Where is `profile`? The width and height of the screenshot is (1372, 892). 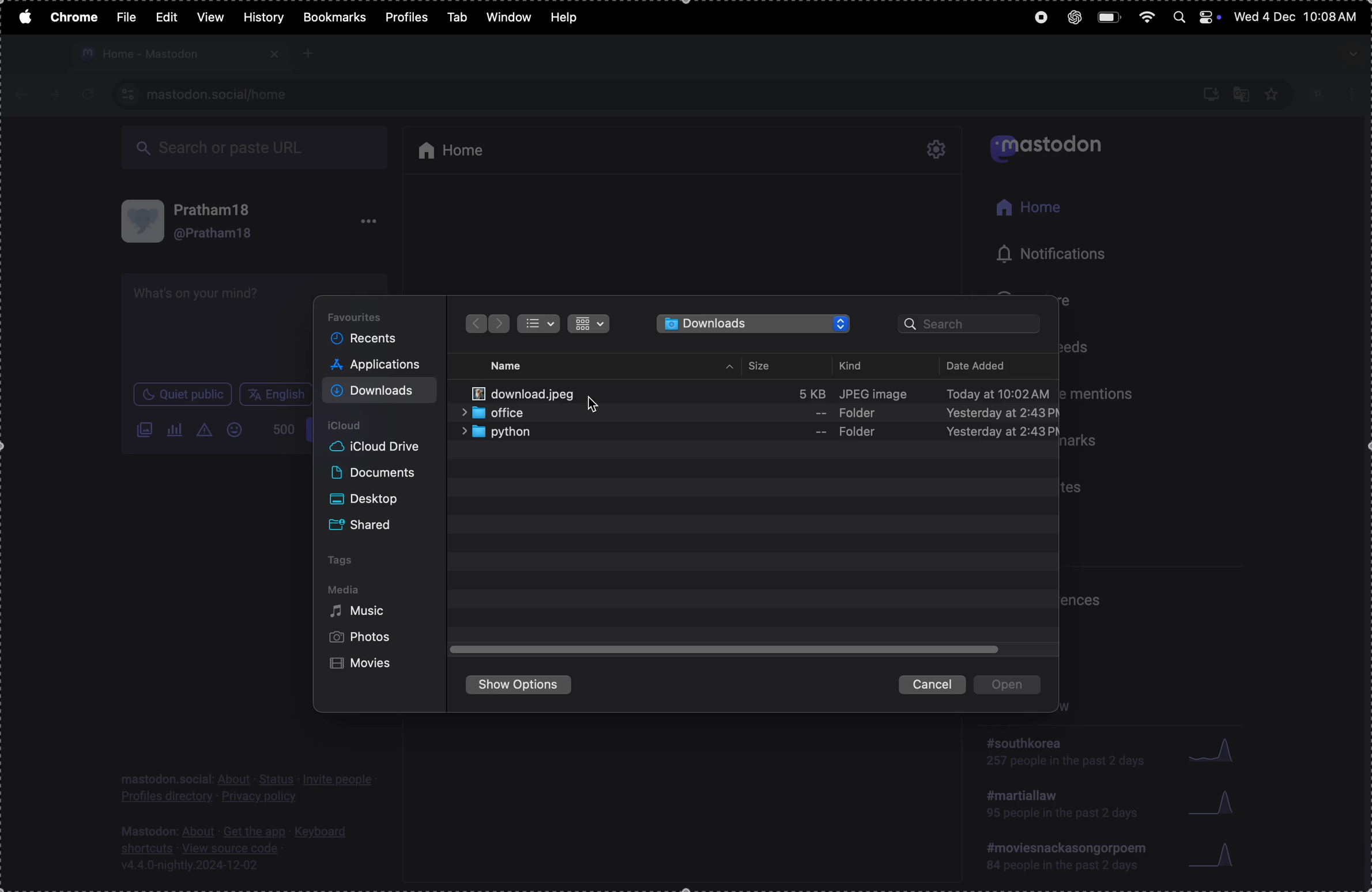
profile is located at coordinates (1332, 93).